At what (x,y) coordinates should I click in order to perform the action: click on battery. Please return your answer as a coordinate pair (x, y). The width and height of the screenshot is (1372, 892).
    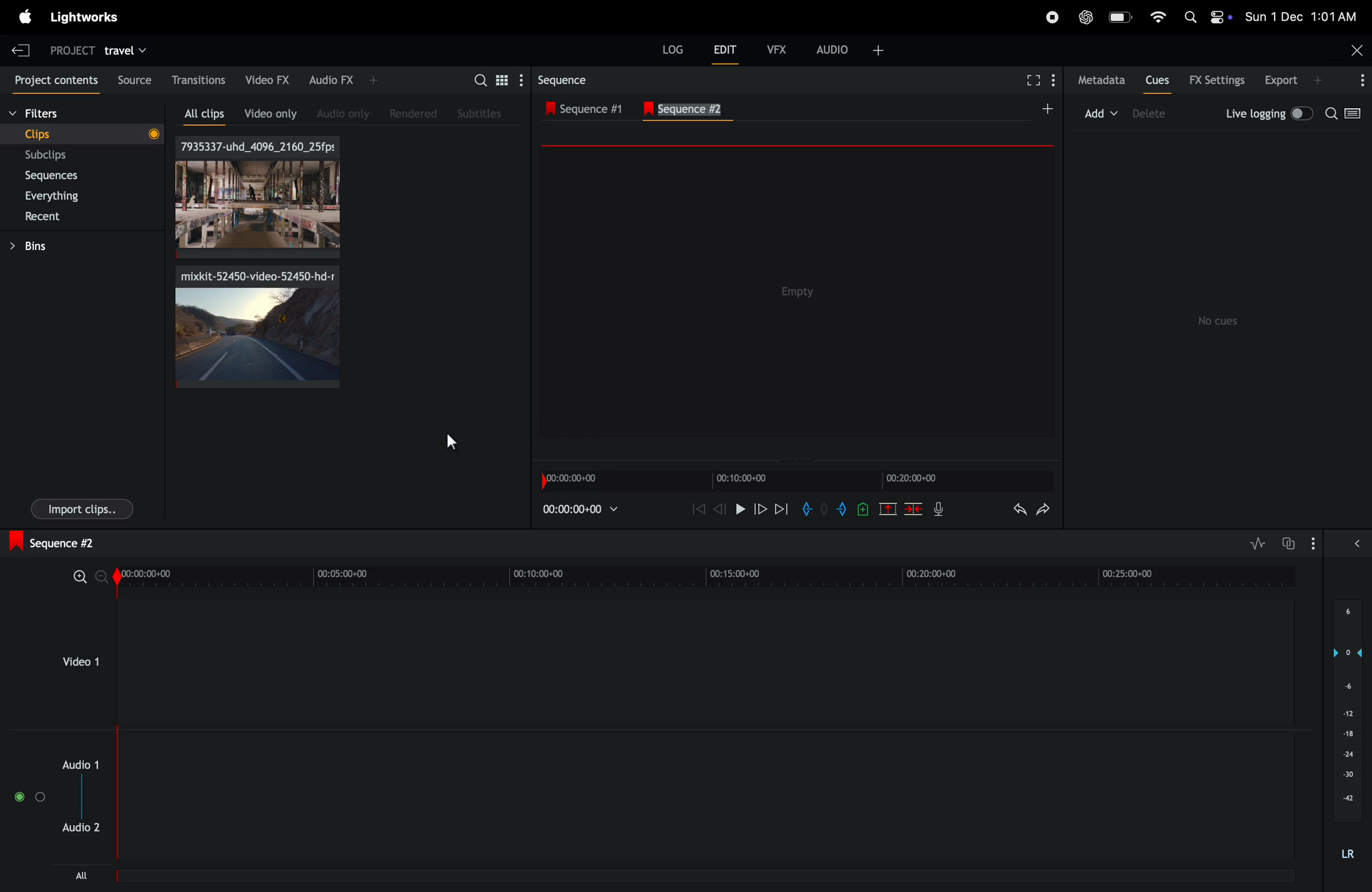
    Looking at the image, I should click on (1120, 17).